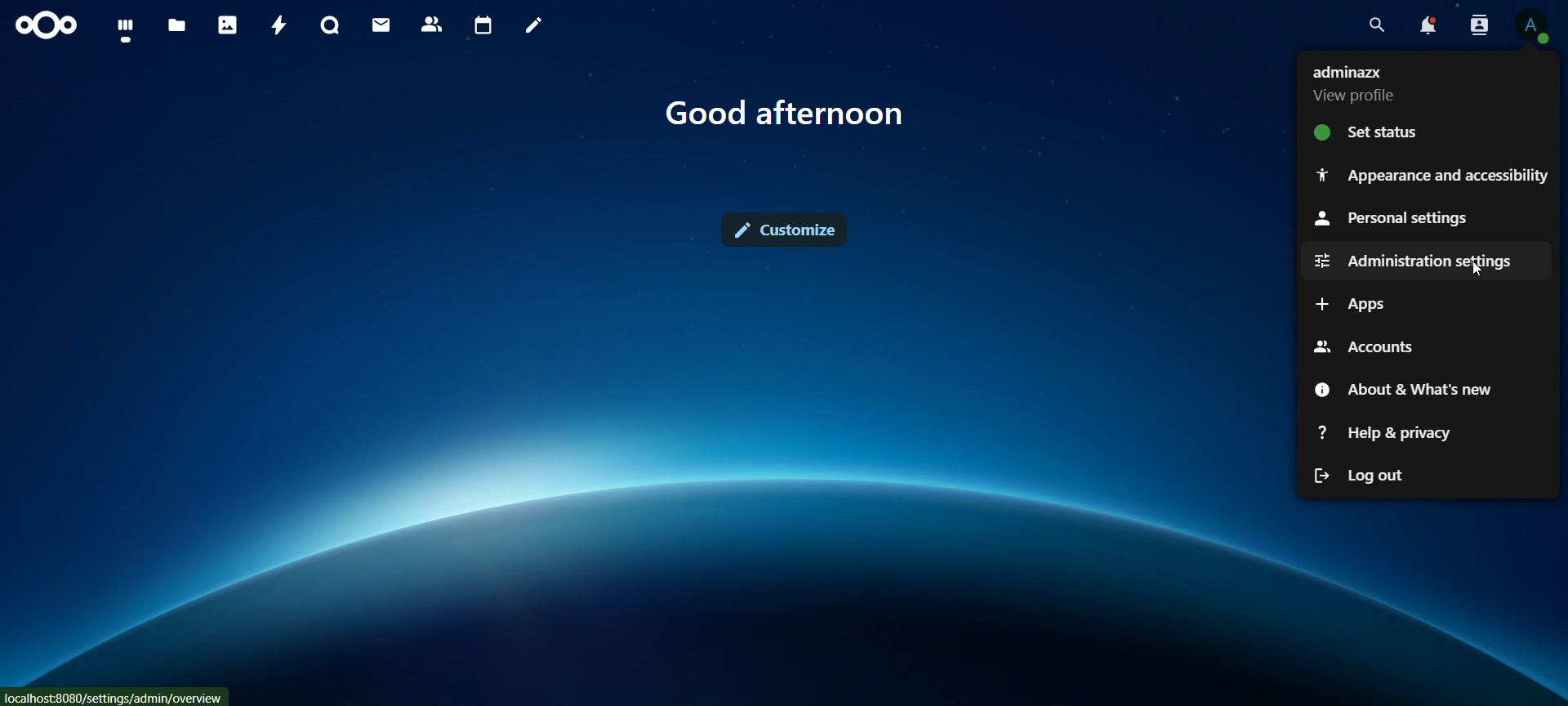  I want to click on view profile, so click(1535, 25).